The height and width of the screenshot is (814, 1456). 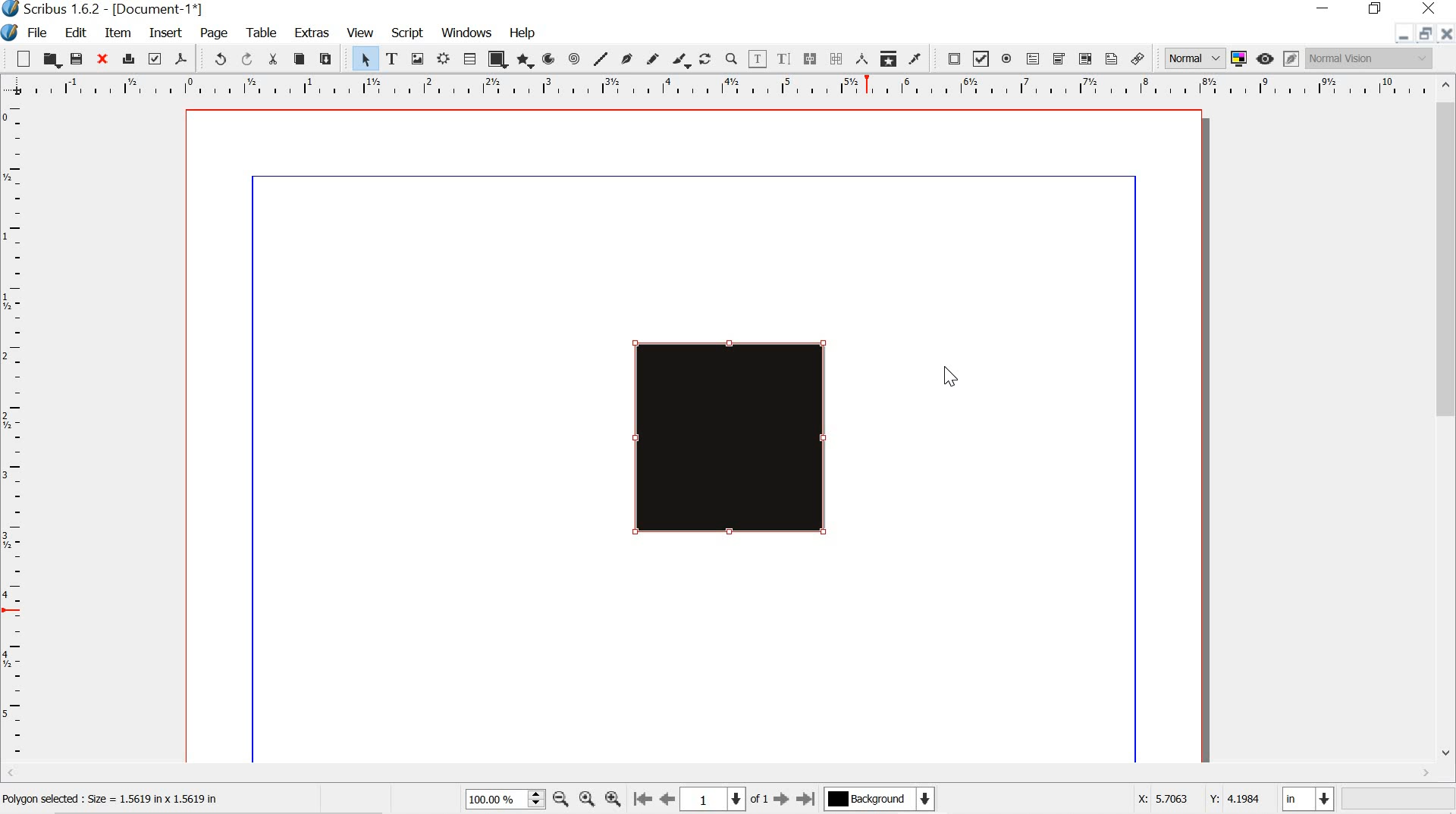 I want to click on table, so click(x=469, y=58).